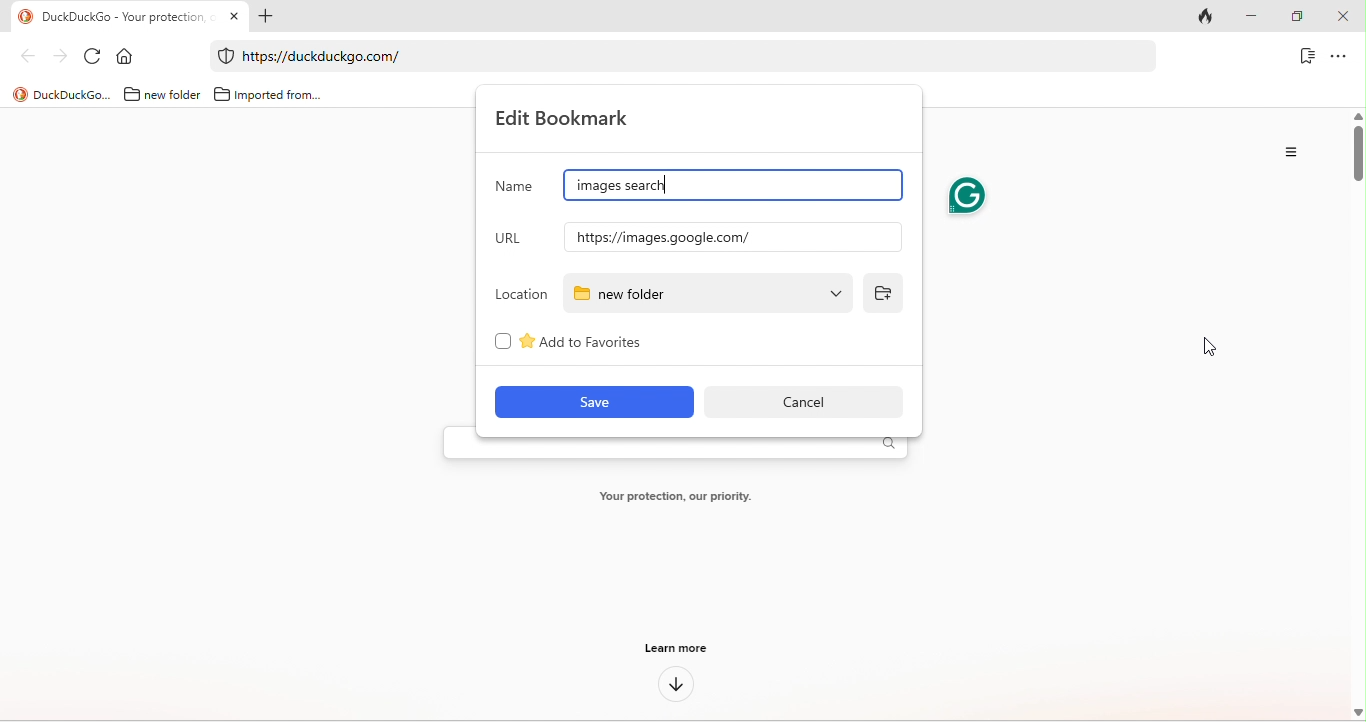 This screenshot has height=722, width=1366. Describe the element at coordinates (560, 118) in the screenshot. I see `edit bookmark` at that location.